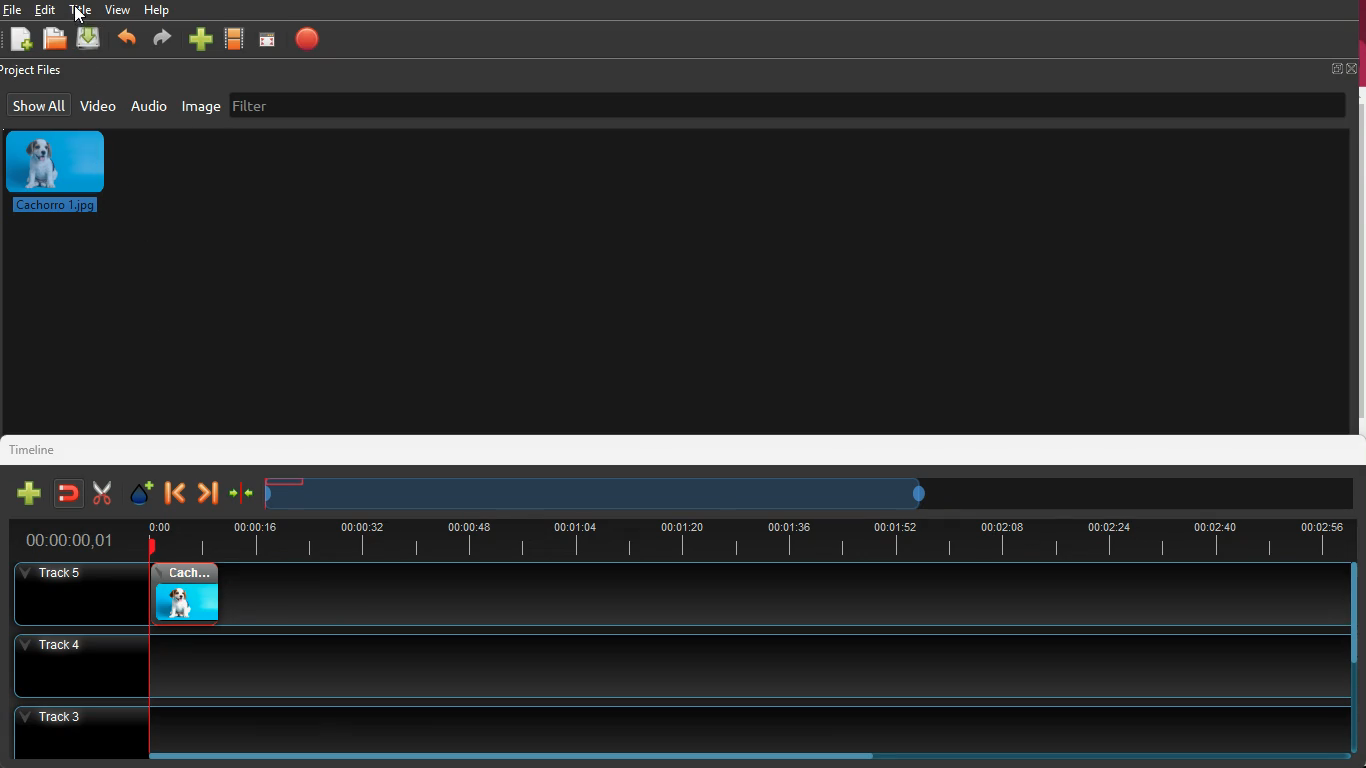 The image size is (1366, 768). What do you see at coordinates (308, 39) in the screenshot?
I see `record` at bounding box center [308, 39].